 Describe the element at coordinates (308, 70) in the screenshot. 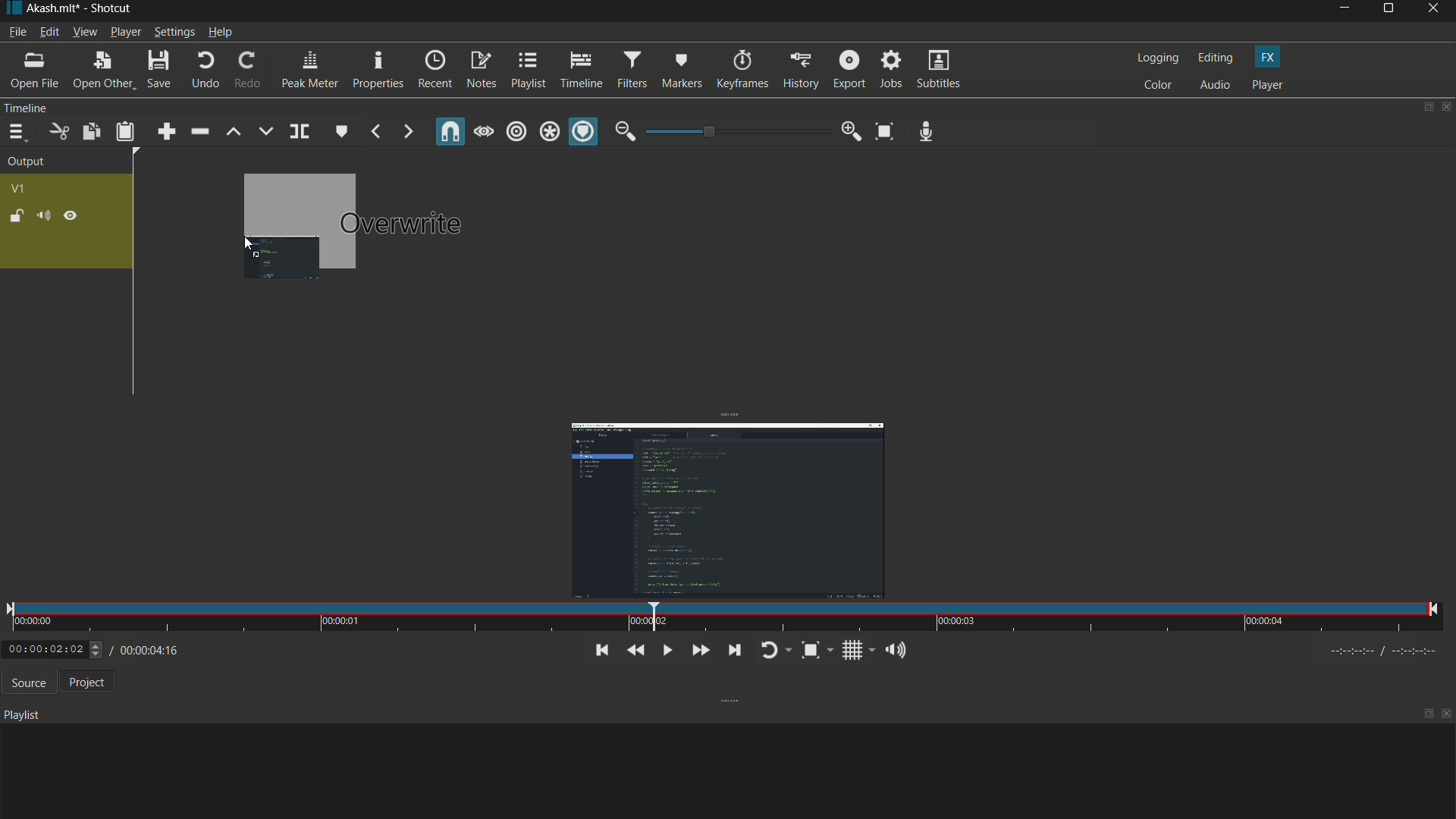

I see `peak meter` at that location.